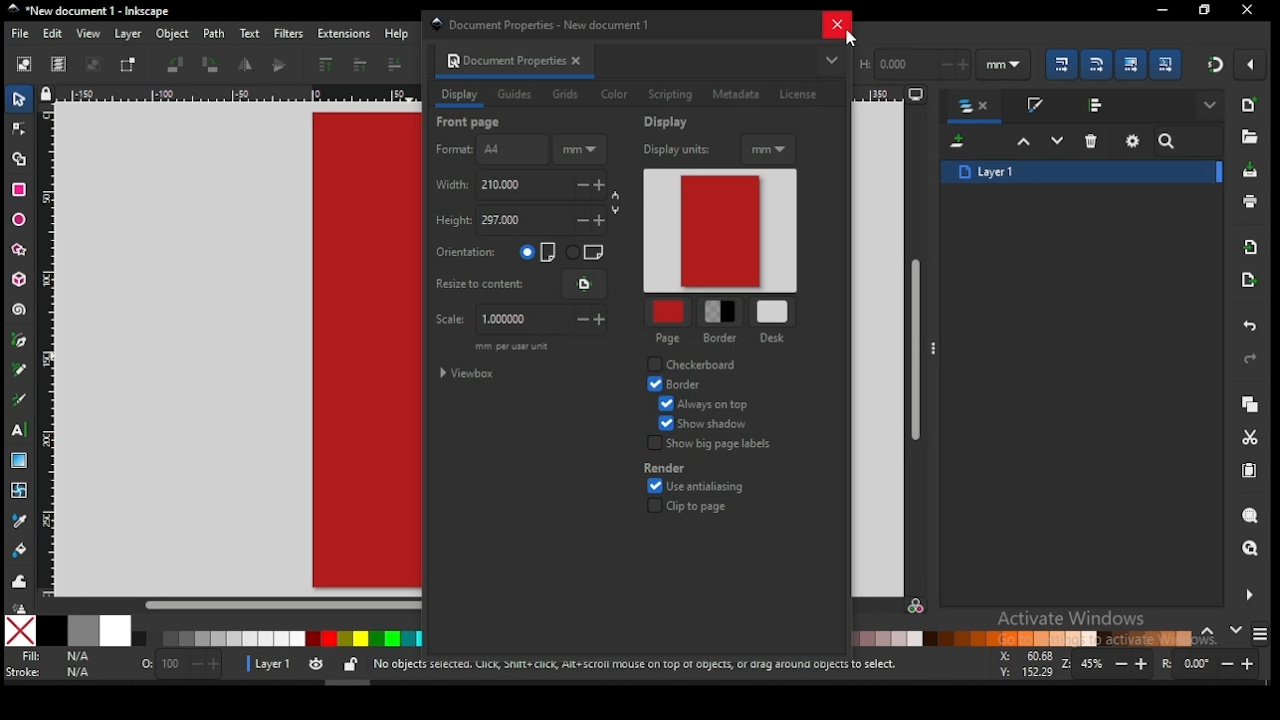 This screenshot has width=1280, height=720. Describe the element at coordinates (173, 35) in the screenshot. I see `object` at that location.